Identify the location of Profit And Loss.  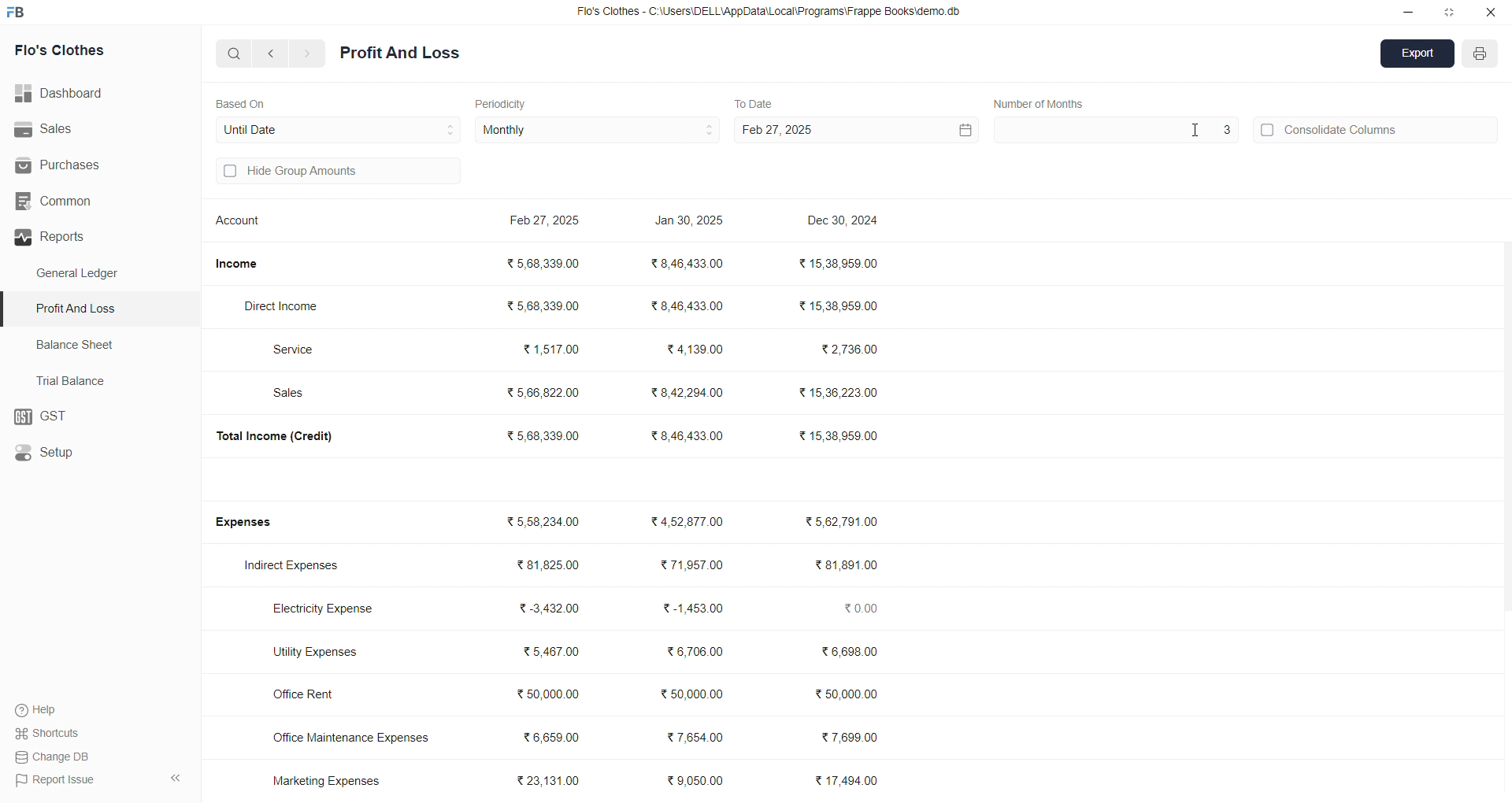
(400, 54).